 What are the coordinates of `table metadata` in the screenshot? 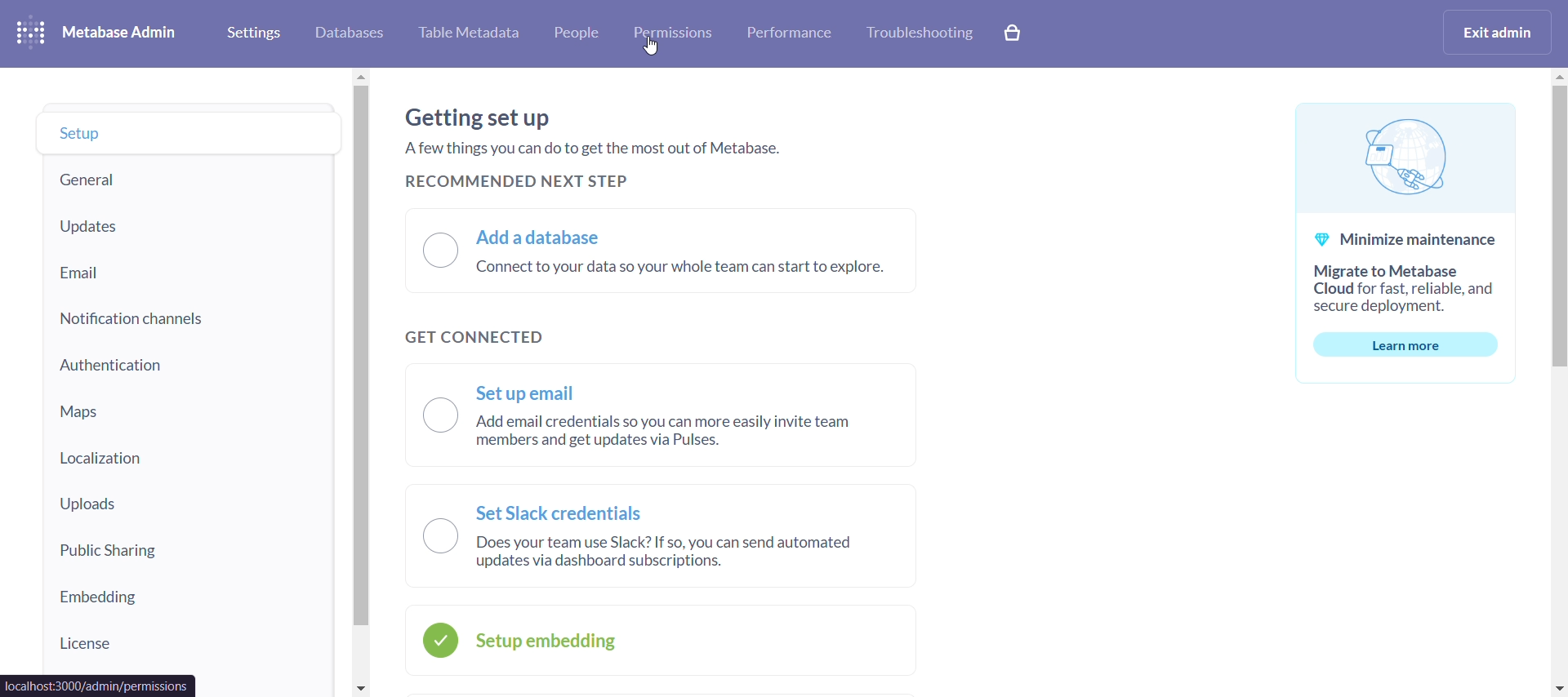 It's located at (467, 30).